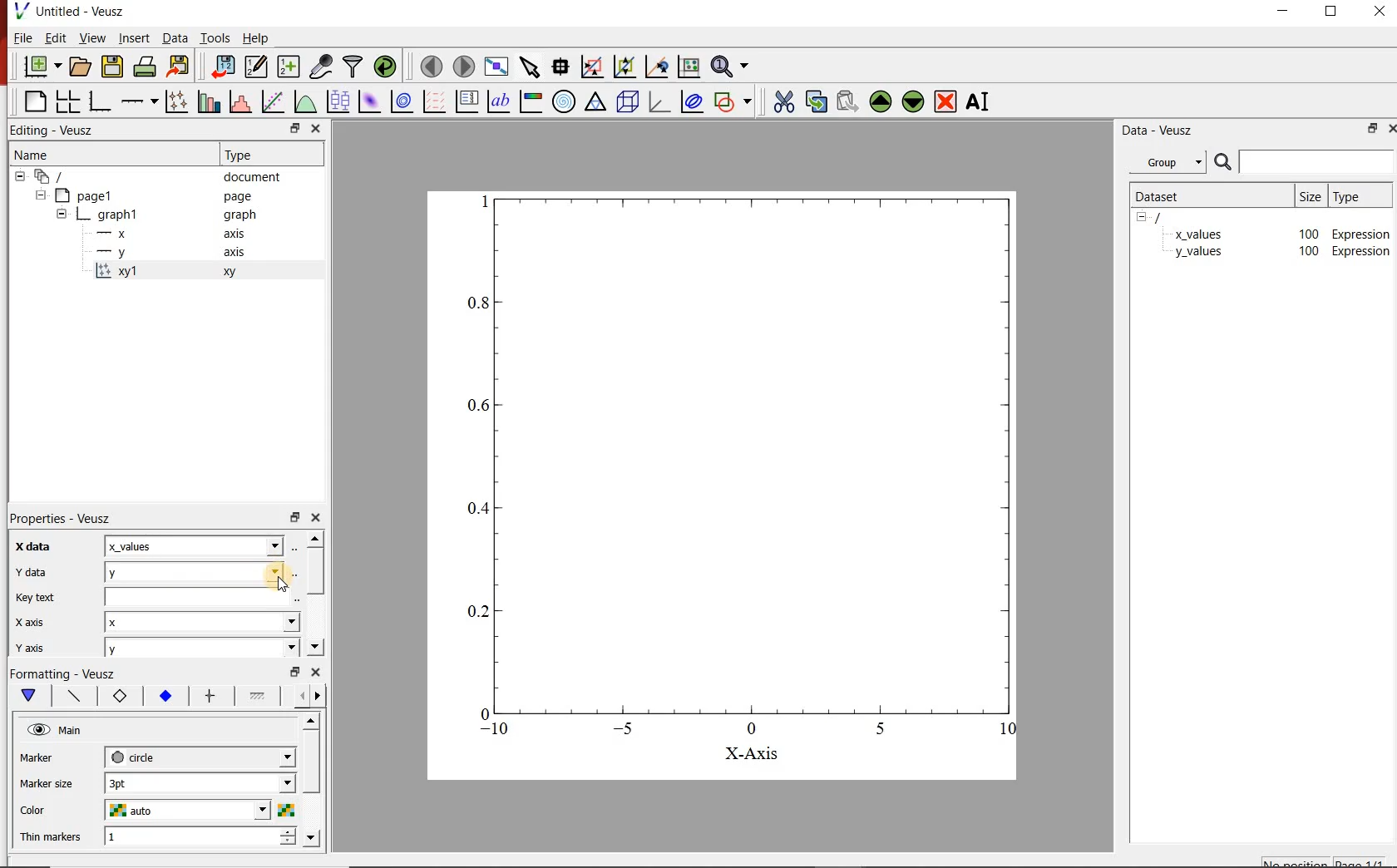  I want to click on data-veusz, so click(1158, 132).